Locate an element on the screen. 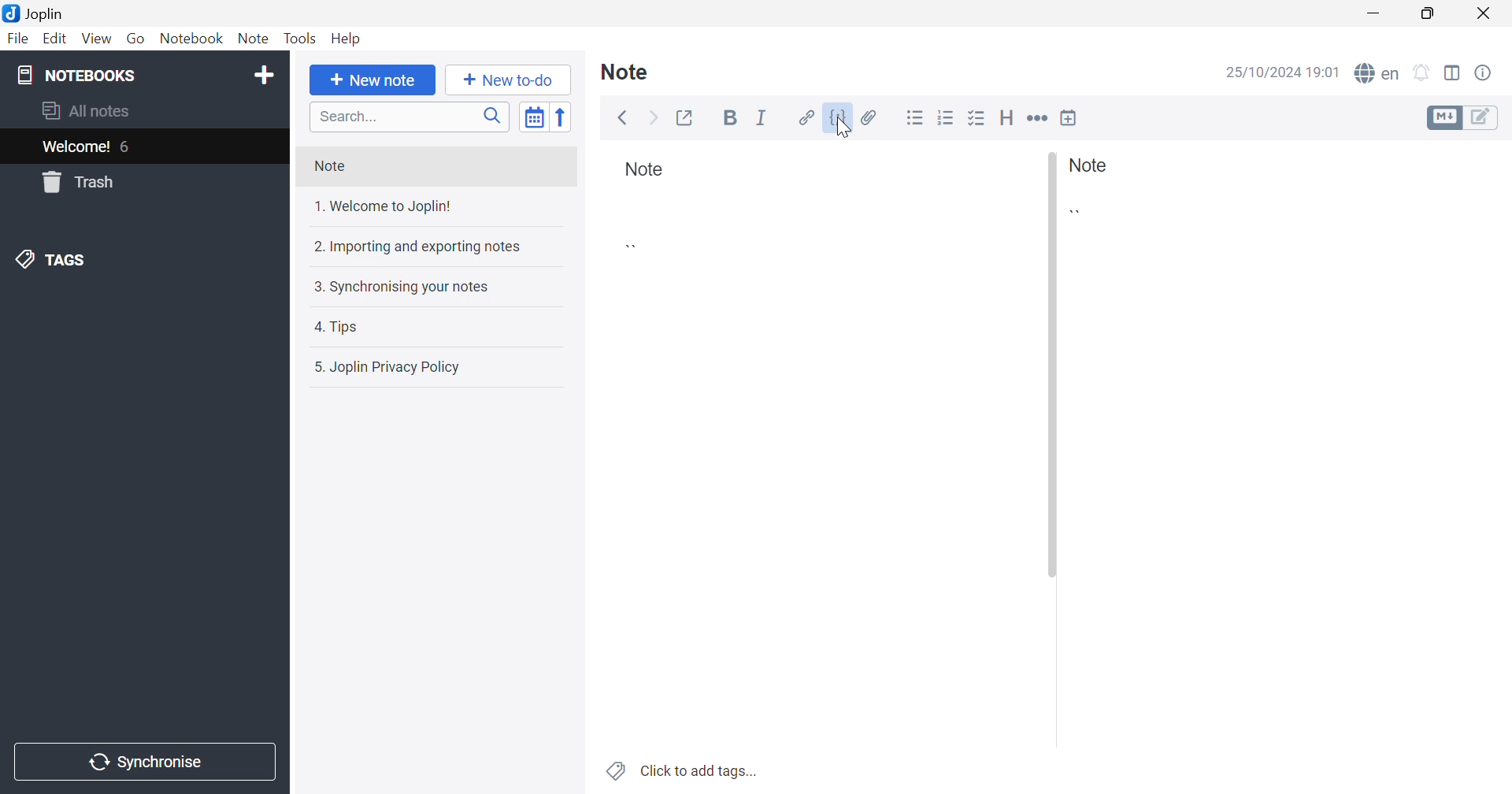 Image resolution: width=1512 pixels, height=794 pixels. + New Note is located at coordinates (375, 81).